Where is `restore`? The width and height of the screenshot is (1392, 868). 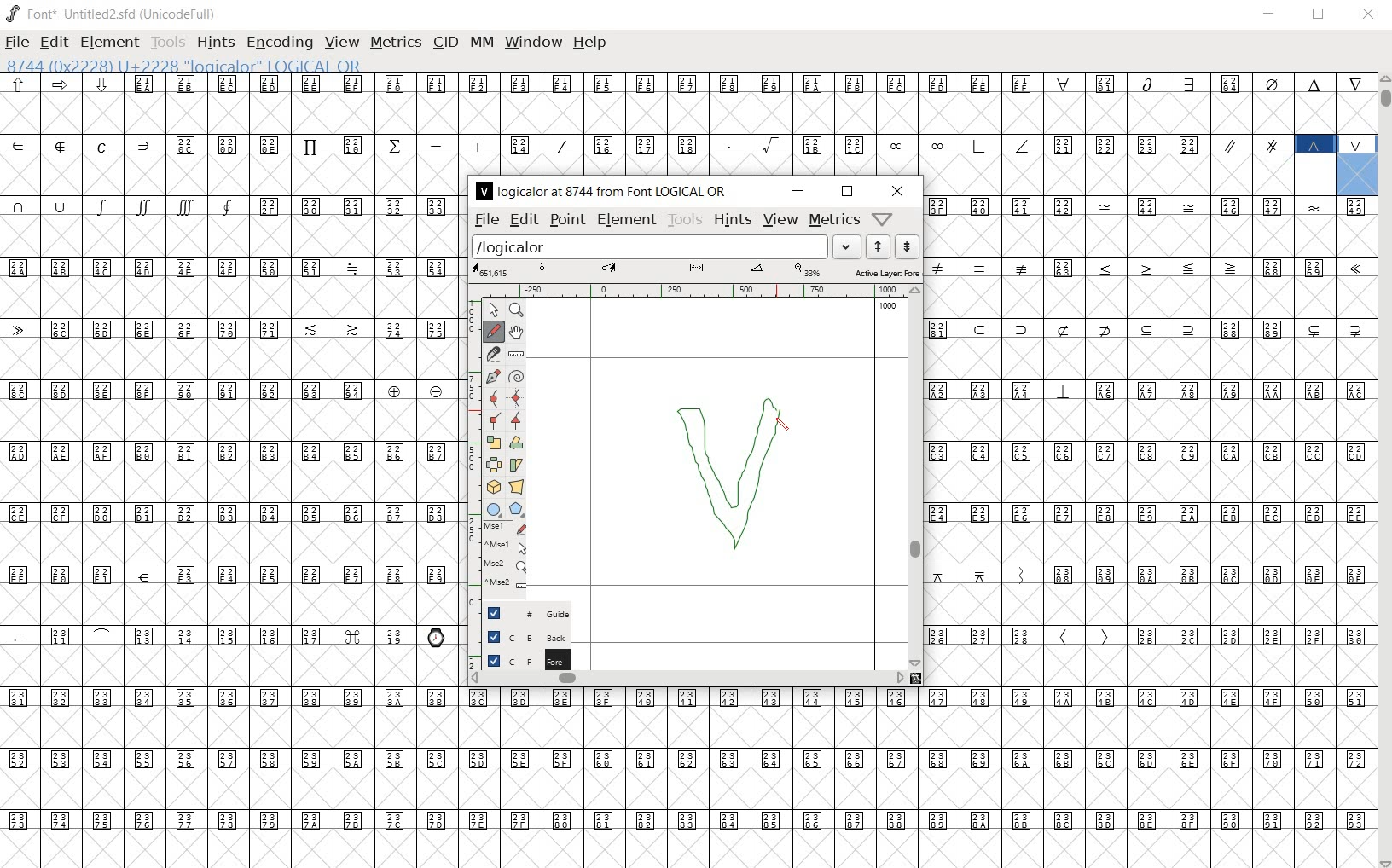 restore is located at coordinates (1319, 17).